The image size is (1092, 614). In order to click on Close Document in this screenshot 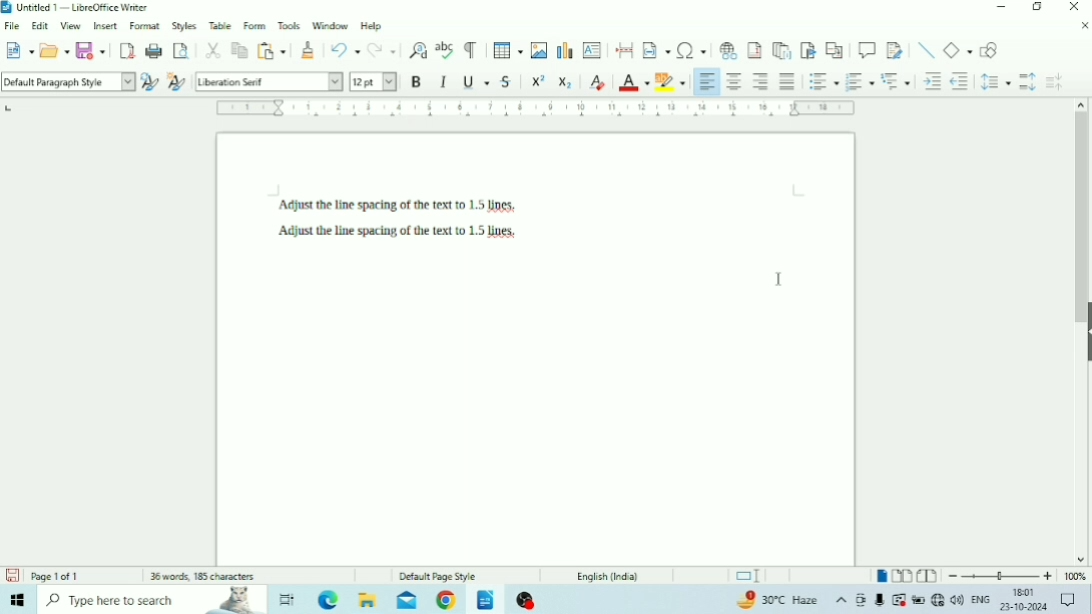, I will do `click(1083, 26)`.